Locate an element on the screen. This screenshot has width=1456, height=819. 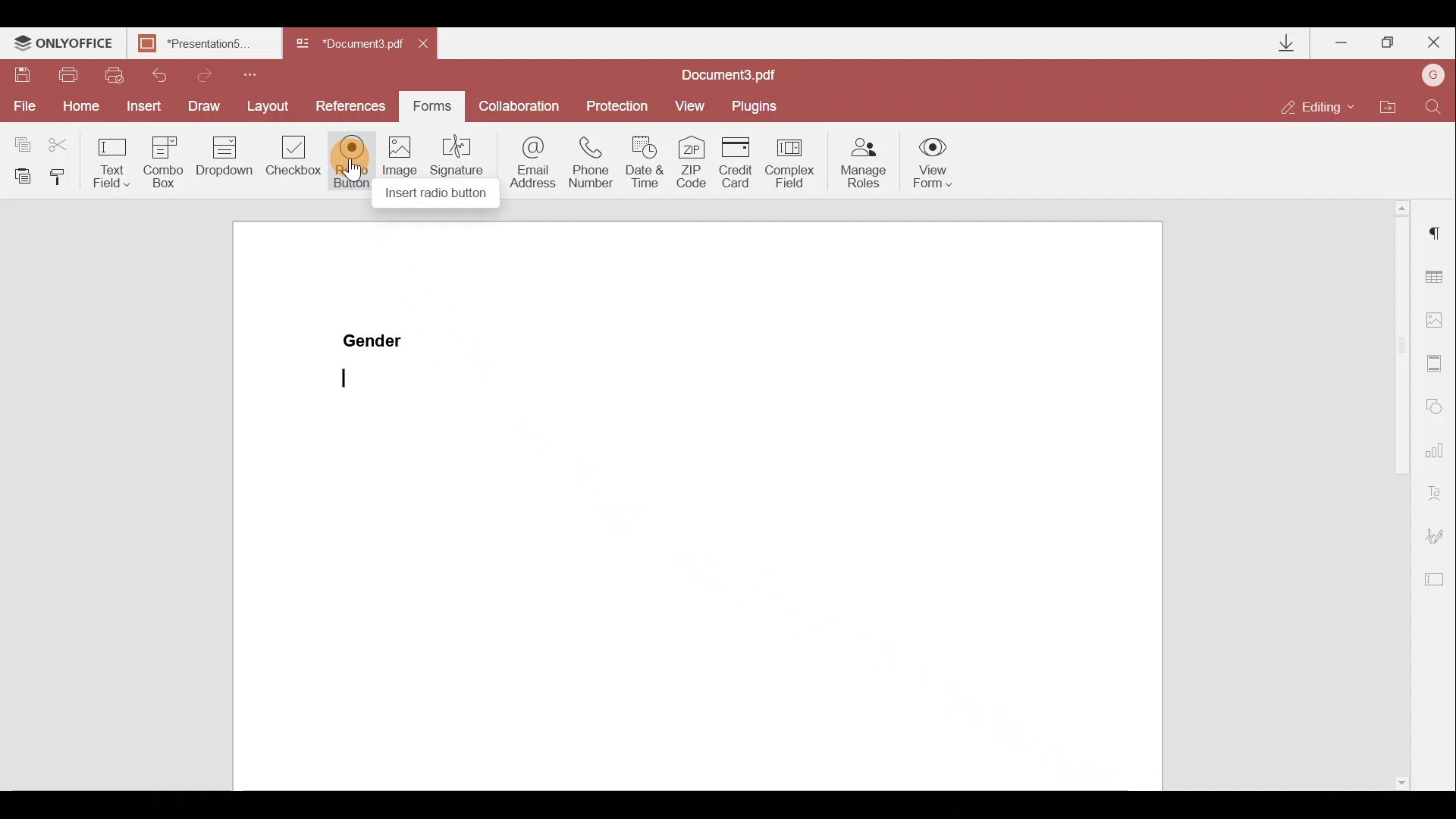
Print file is located at coordinates (70, 74).